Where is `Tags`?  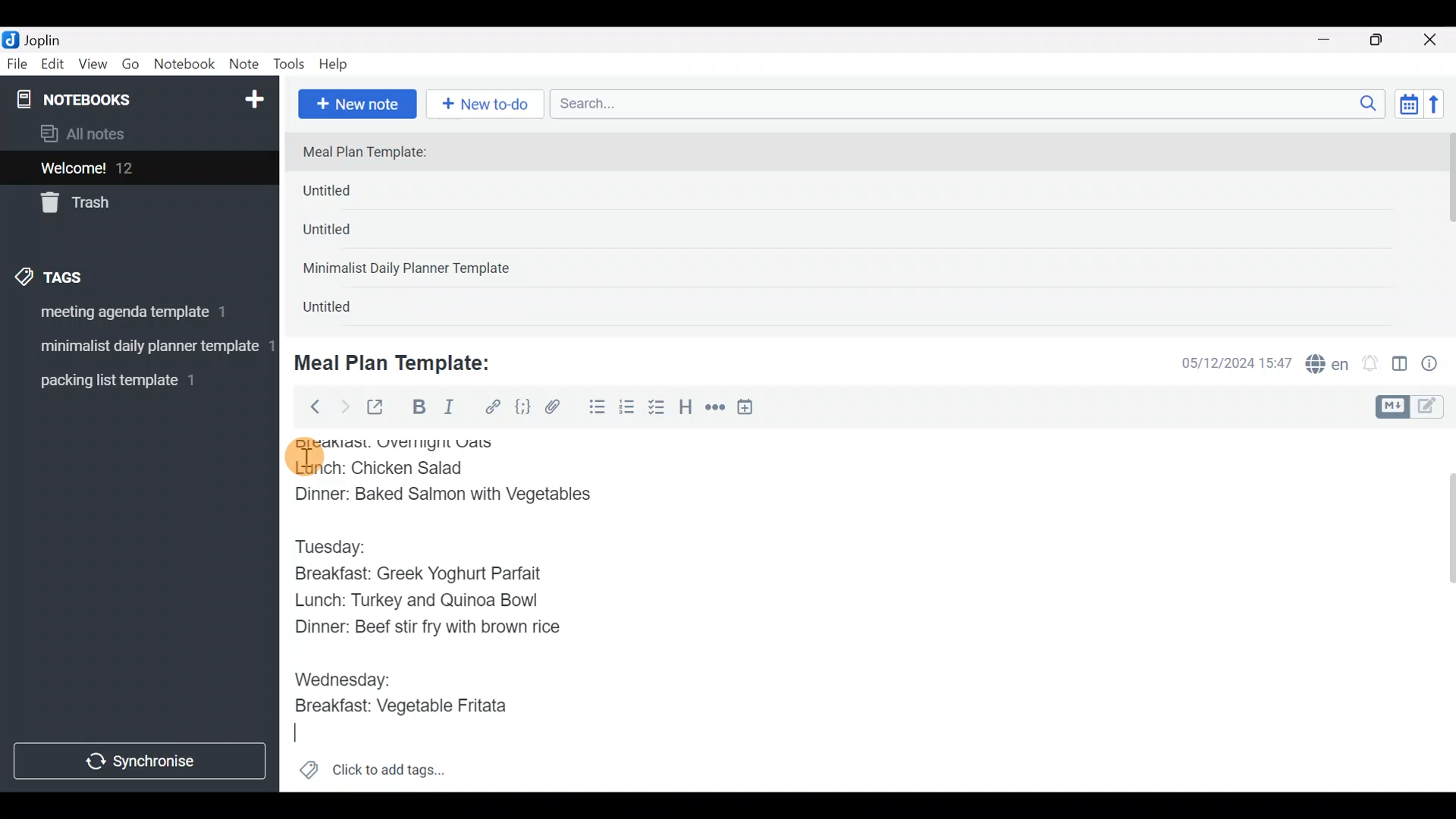
Tags is located at coordinates (85, 275).